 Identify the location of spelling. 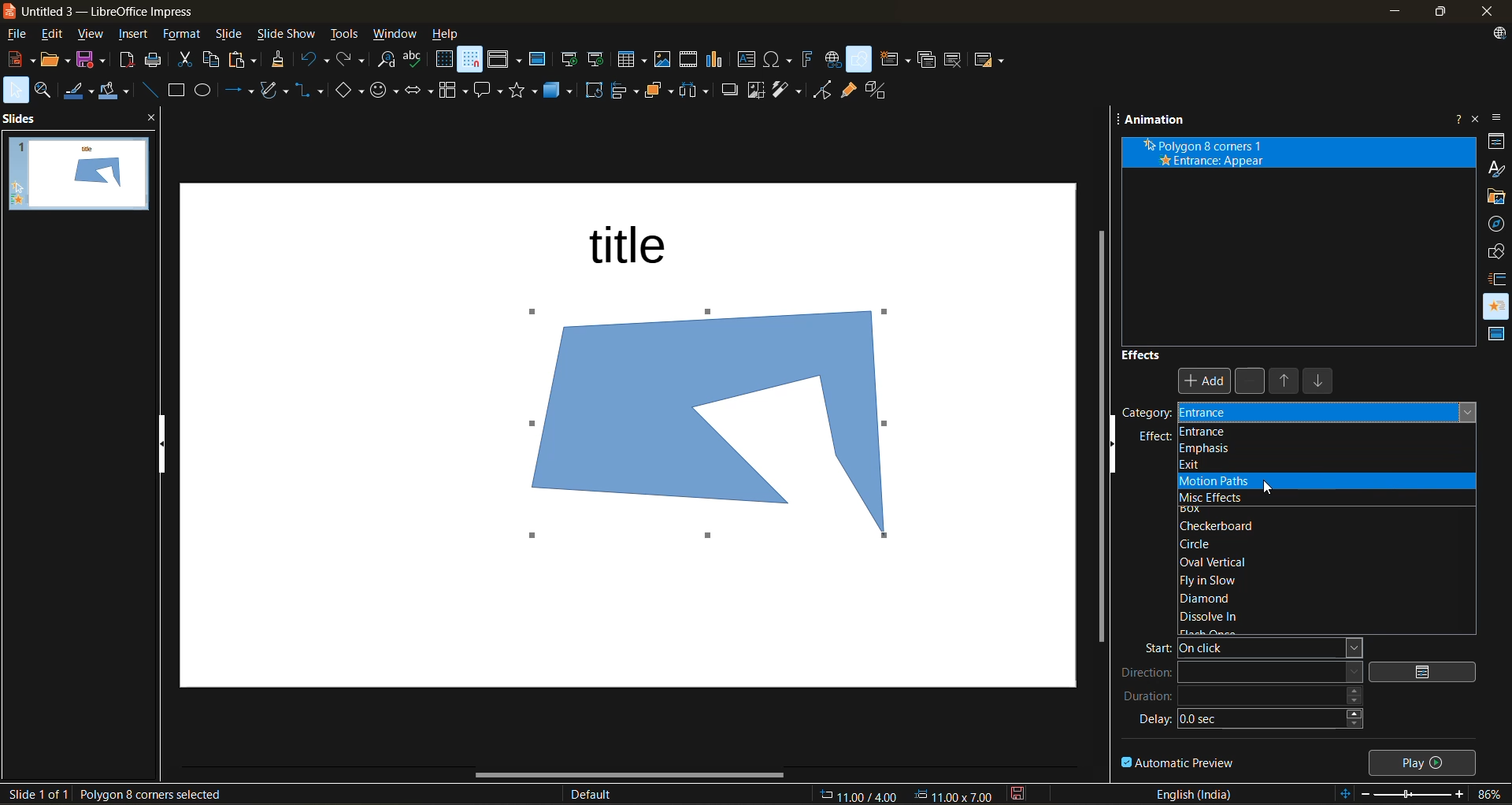
(415, 59).